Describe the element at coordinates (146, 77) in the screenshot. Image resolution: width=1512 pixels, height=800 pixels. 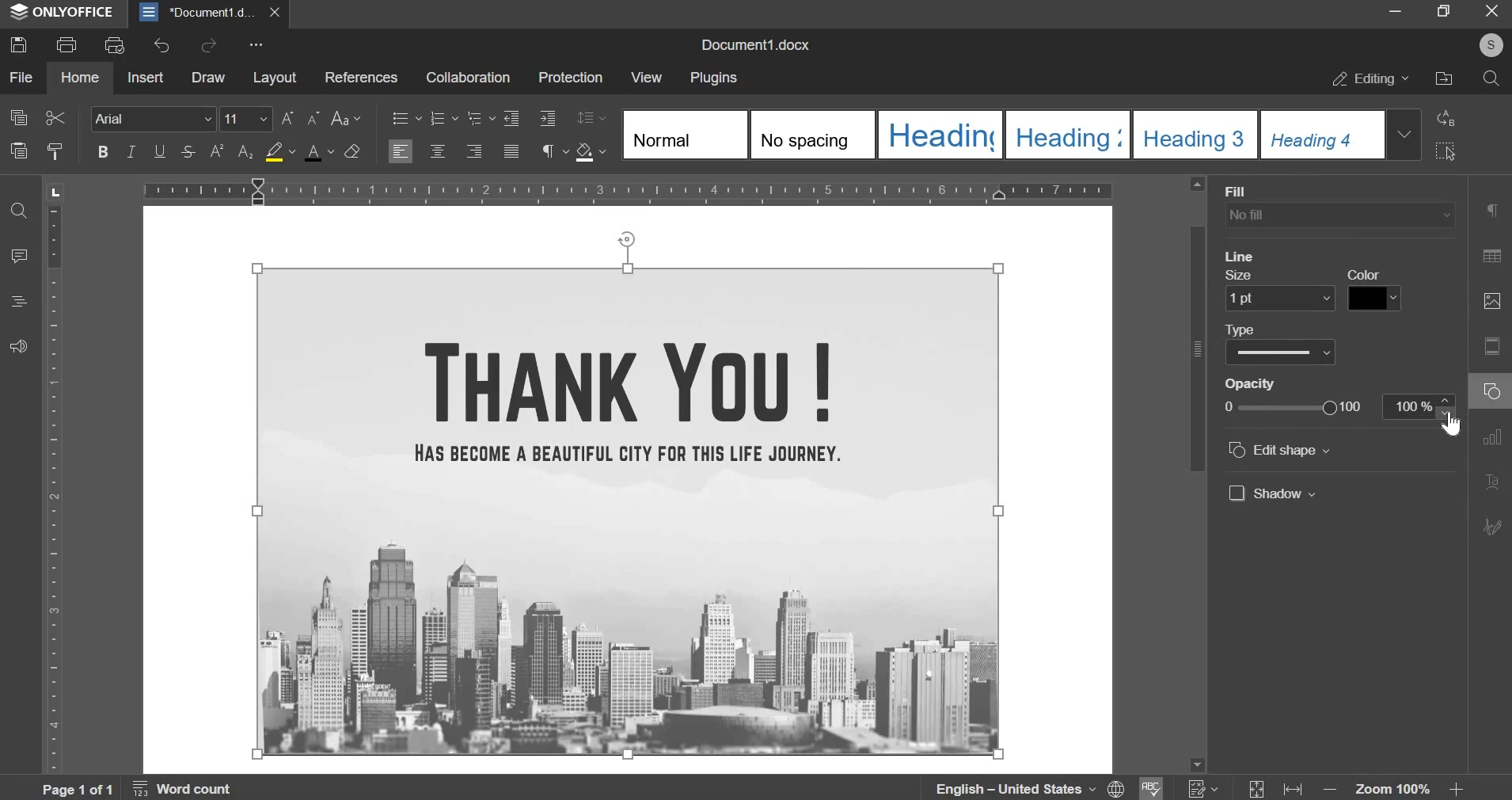
I see `insert` at that location.